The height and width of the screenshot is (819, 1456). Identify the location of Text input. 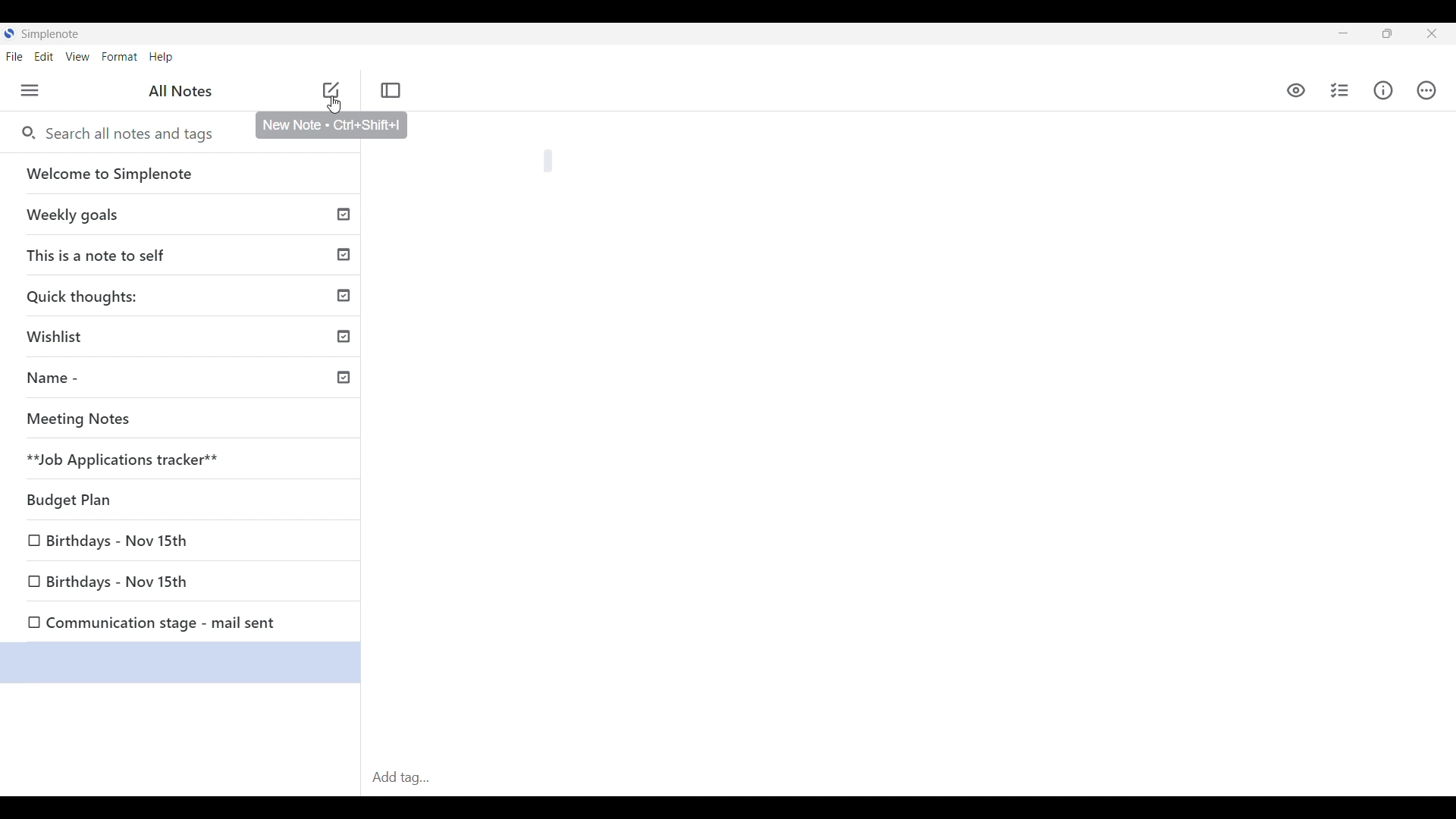
(934, 436).